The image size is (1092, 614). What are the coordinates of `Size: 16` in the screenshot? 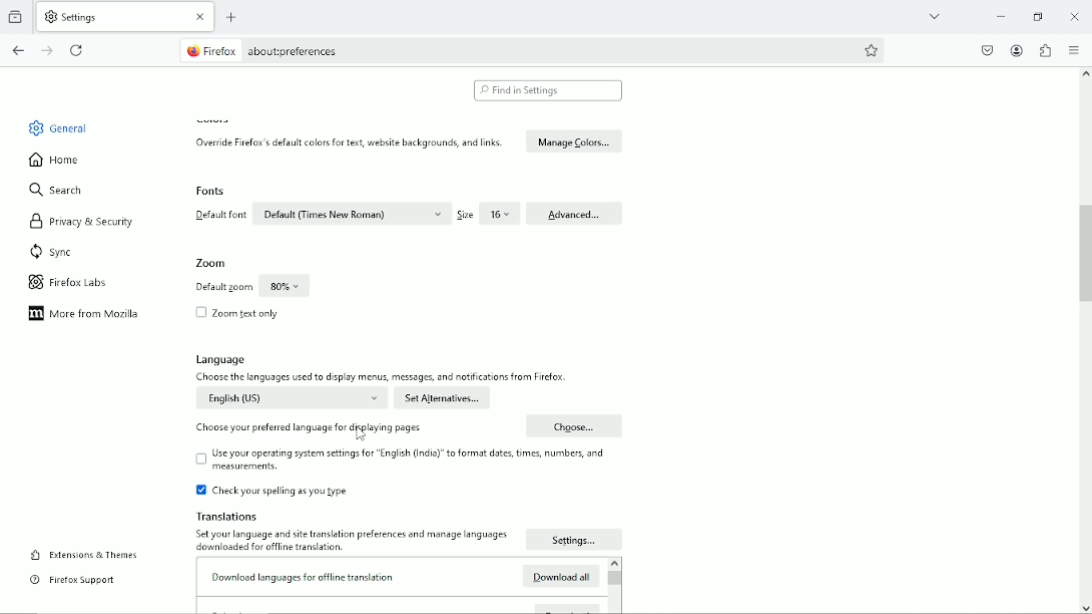 It's located at (488, 215).